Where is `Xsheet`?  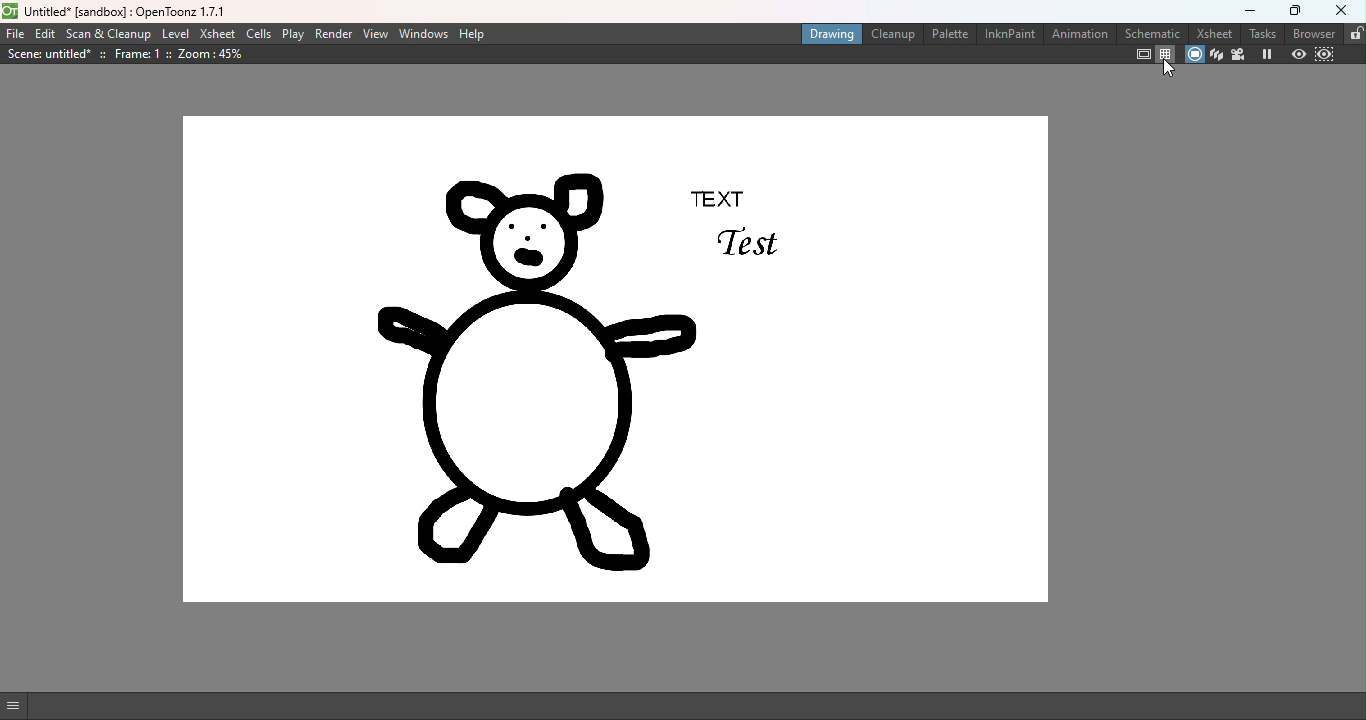
Xsheet is located at coordinates (218, 35).